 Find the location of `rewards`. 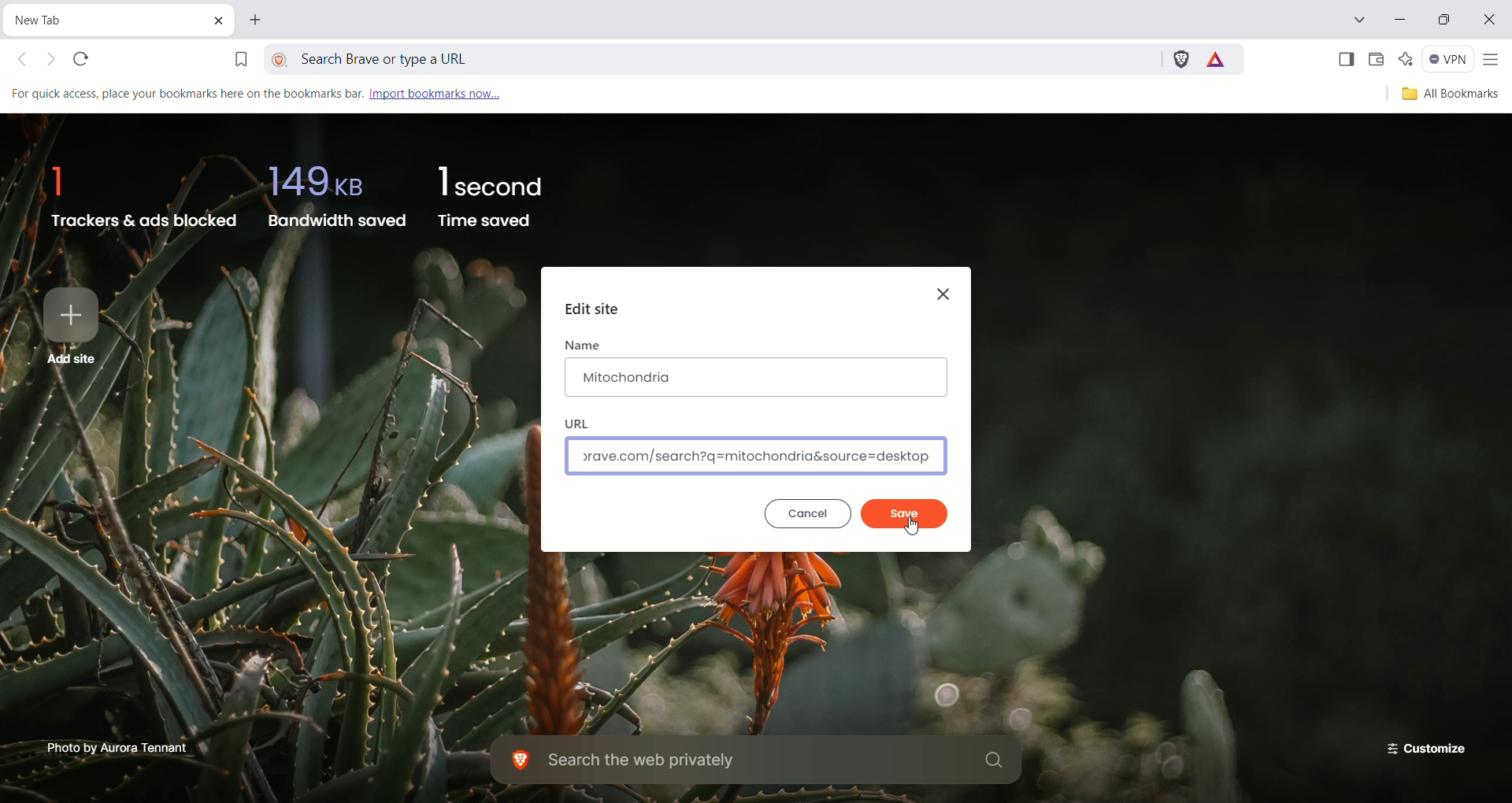

rewards is located at coordinates (1217, 60).